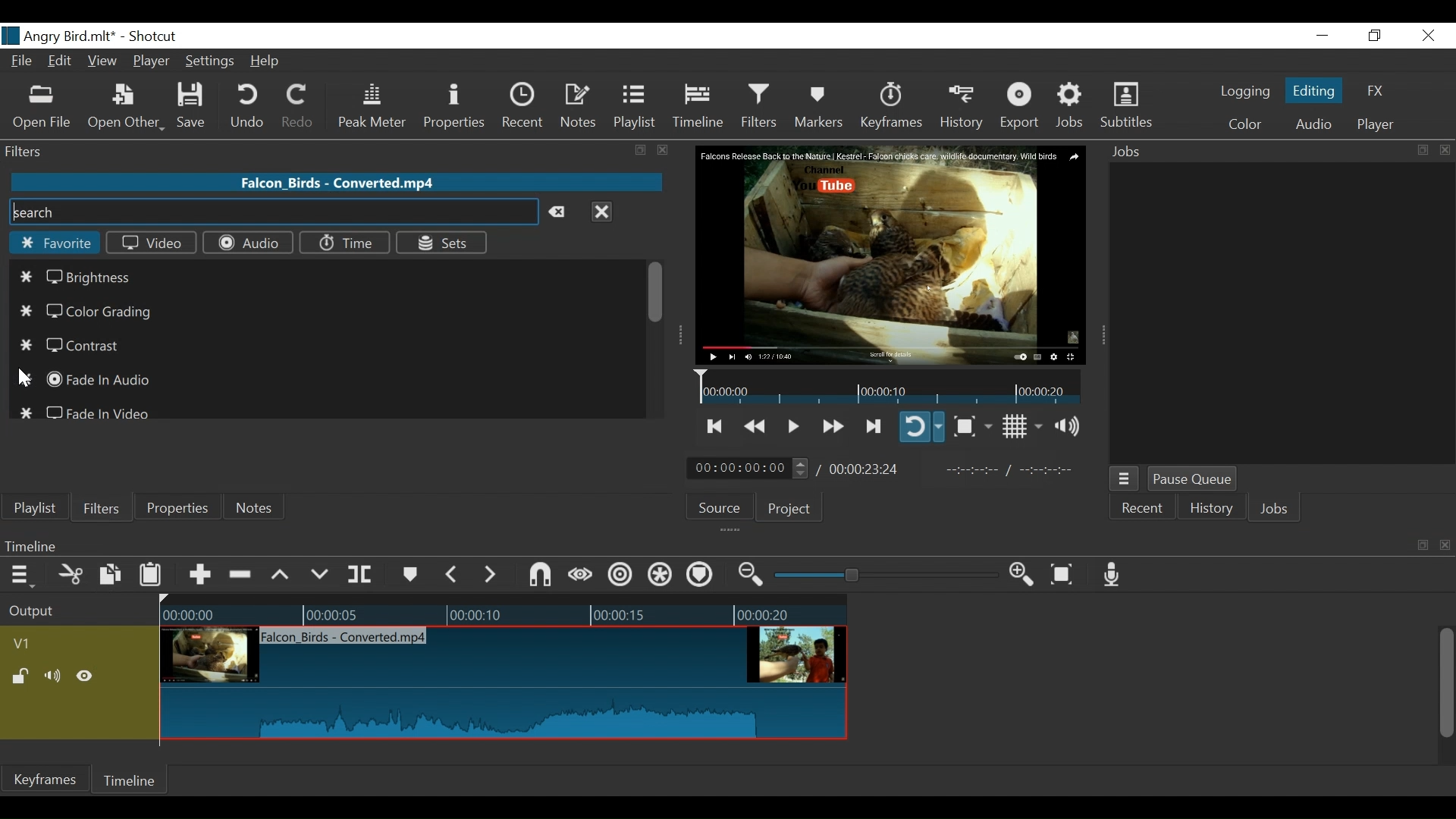 The height and width of the screenshot is (819, 1456). I want to click on Search, so click(272, 212).